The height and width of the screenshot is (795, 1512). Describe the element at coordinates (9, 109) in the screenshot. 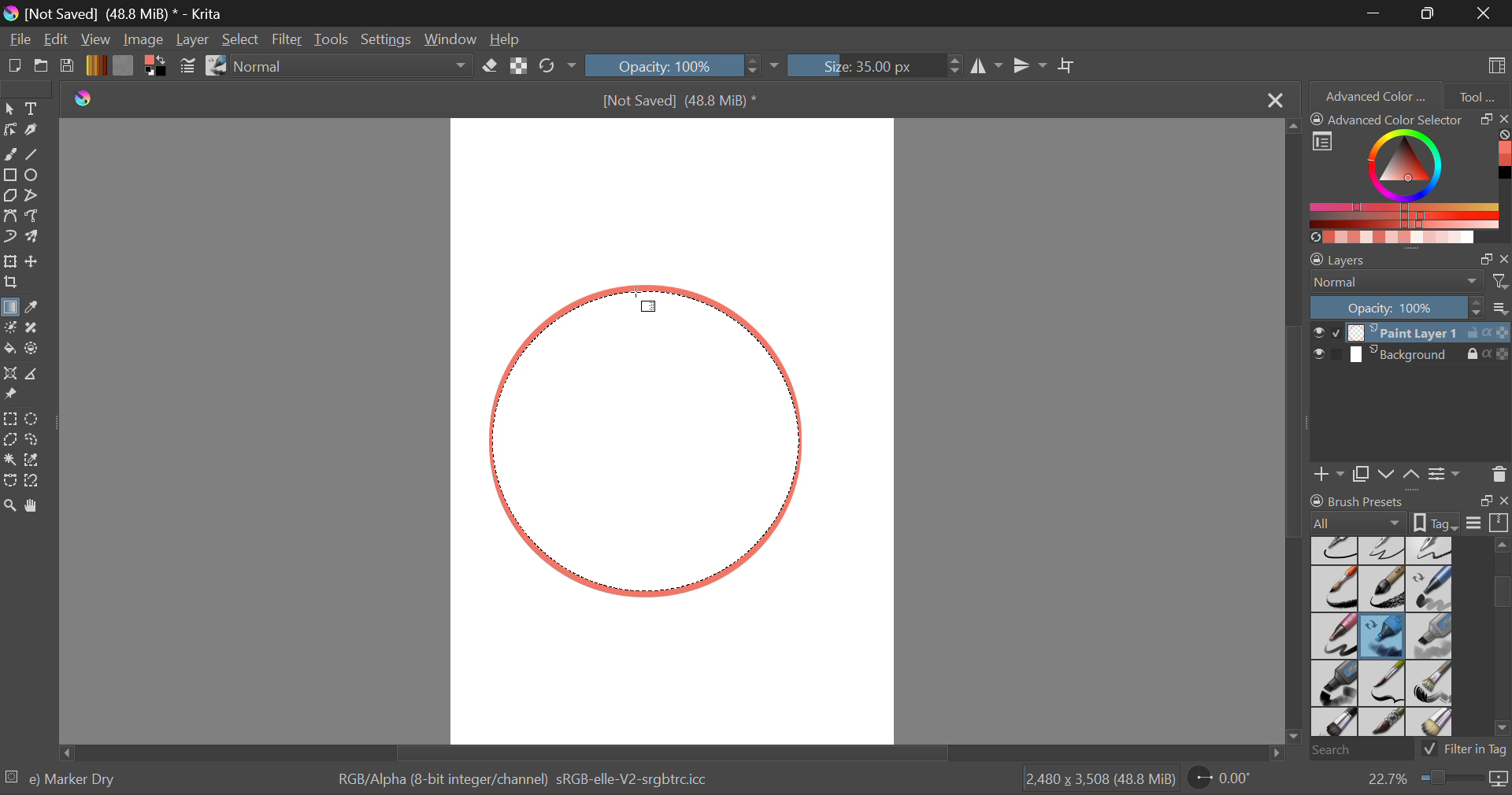

I see `Select` at that location.